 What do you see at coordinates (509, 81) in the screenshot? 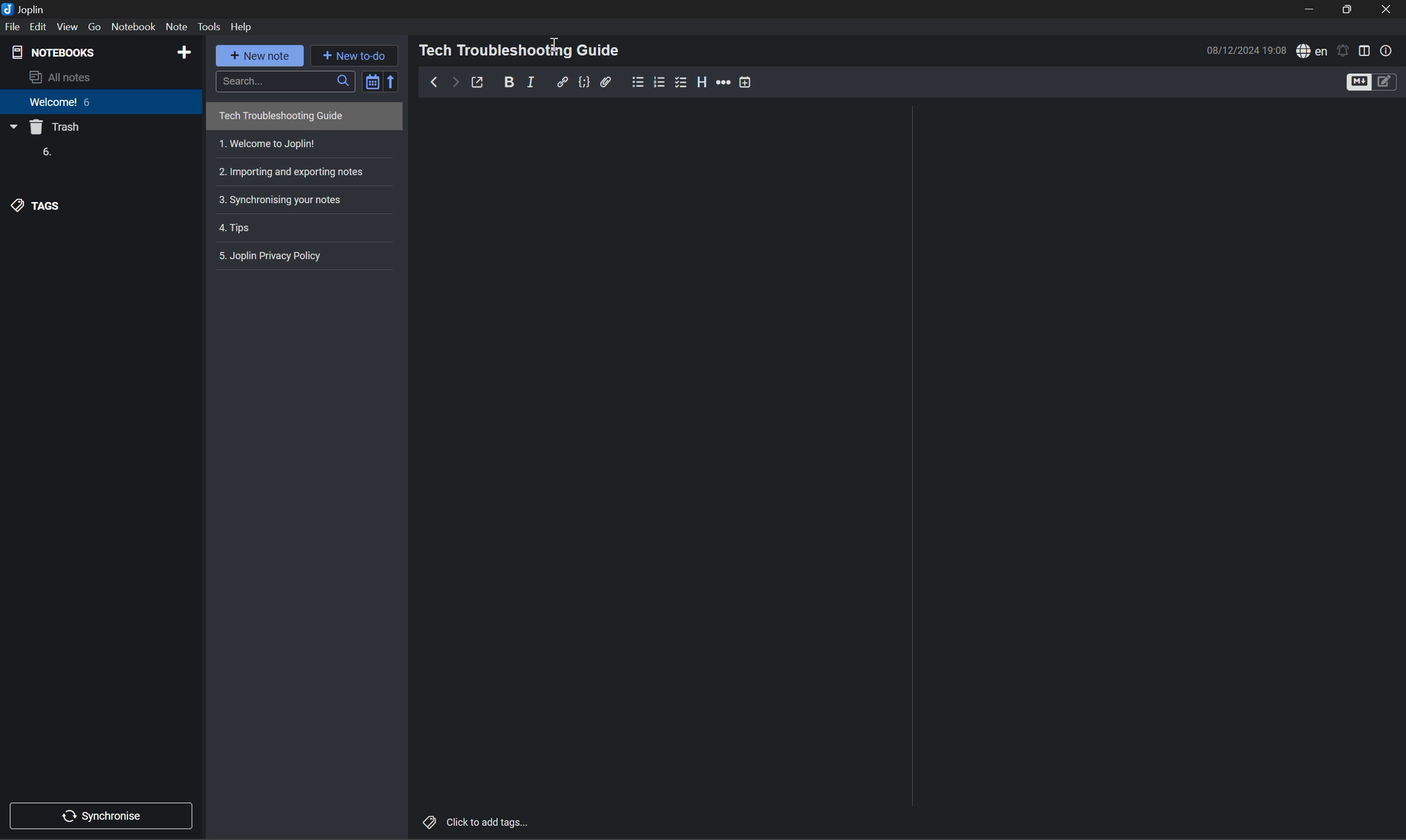
I see `Bold` at bounding box center [509, 81].